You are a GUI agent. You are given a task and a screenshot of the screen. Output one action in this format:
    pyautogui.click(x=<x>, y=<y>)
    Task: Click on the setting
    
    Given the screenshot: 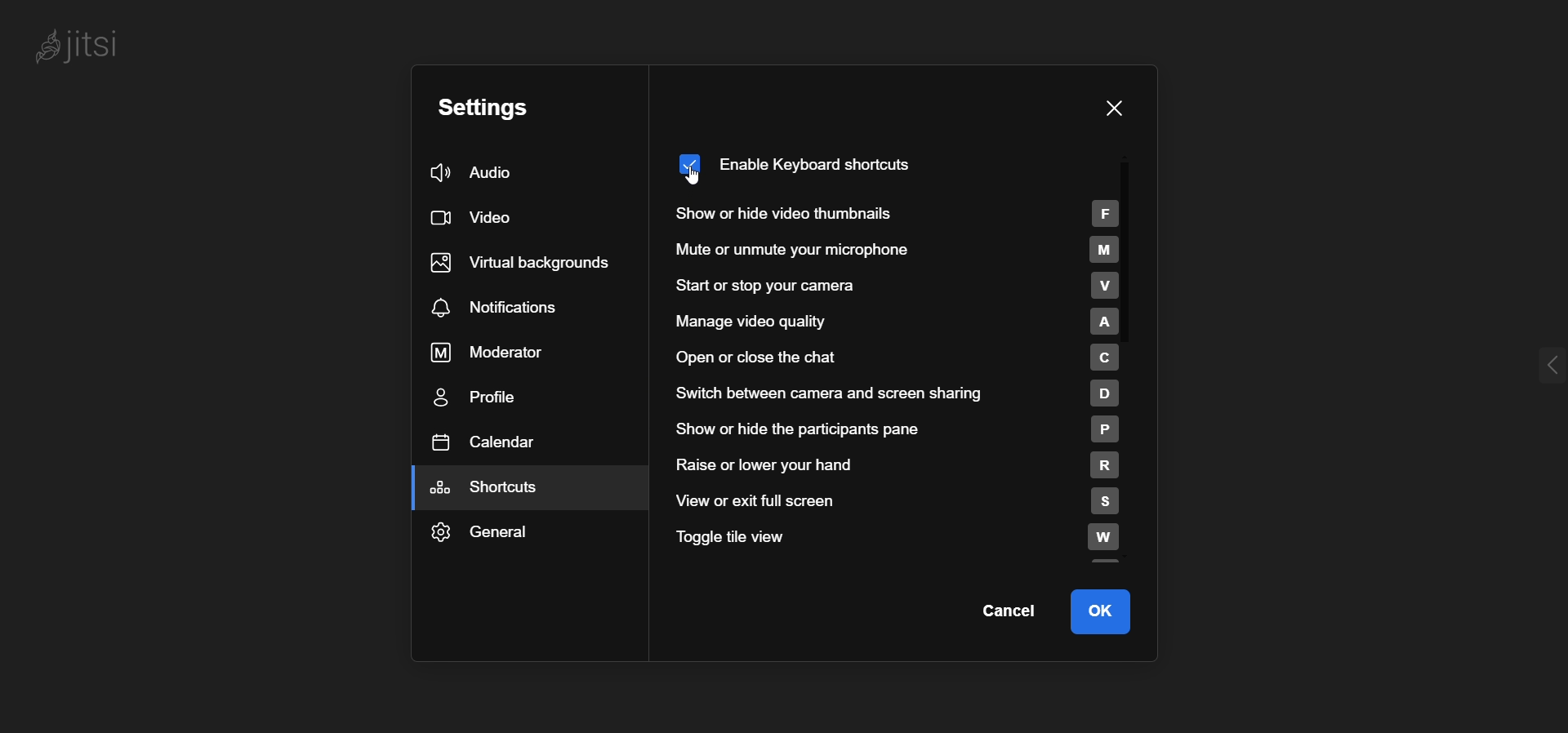 What is the action you would take?
    pyautogui.click(x=489, y=107)
    